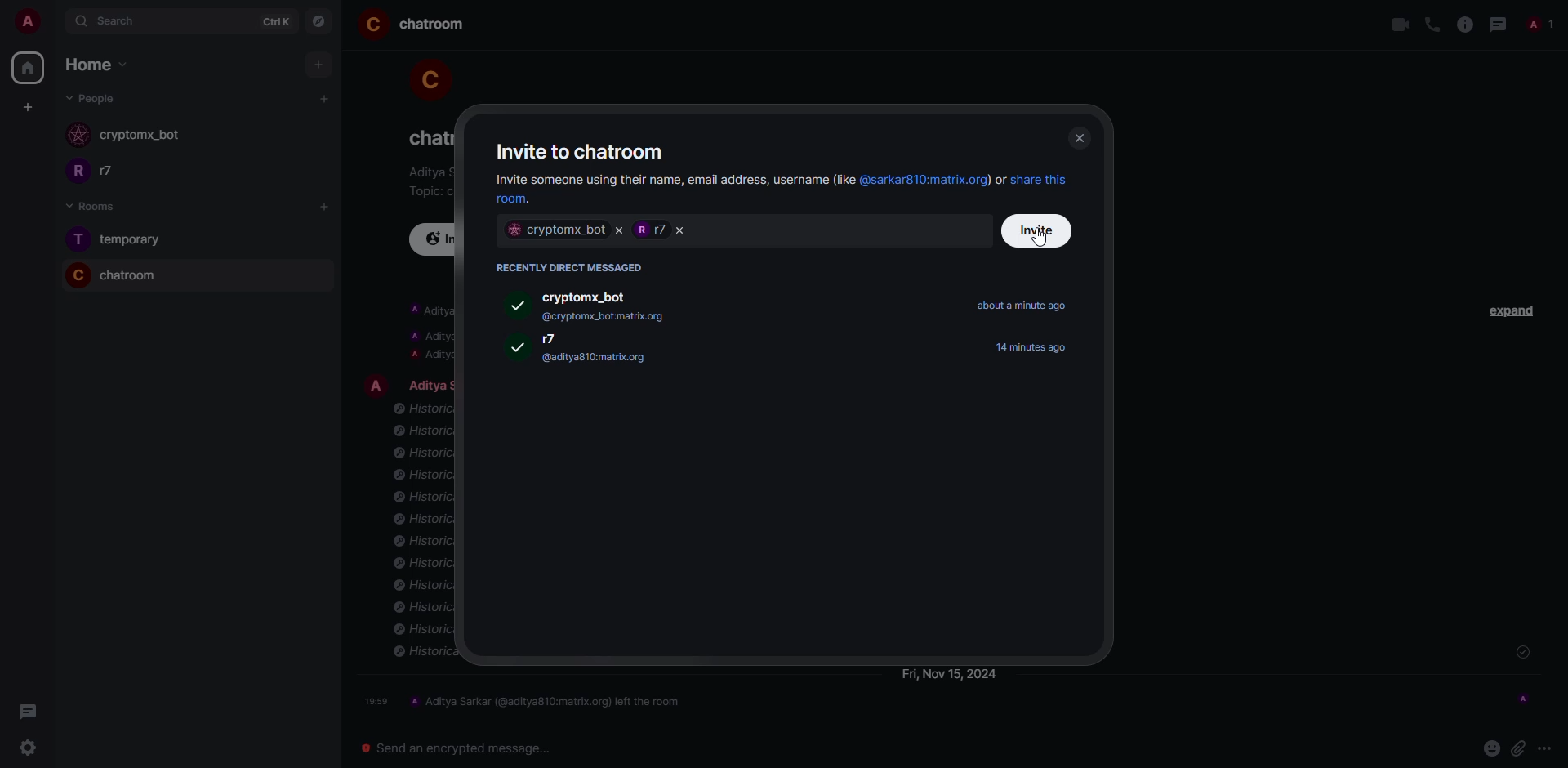 This screenshot has width=1568, height=768. I want to click on clear, so click(619, 231).